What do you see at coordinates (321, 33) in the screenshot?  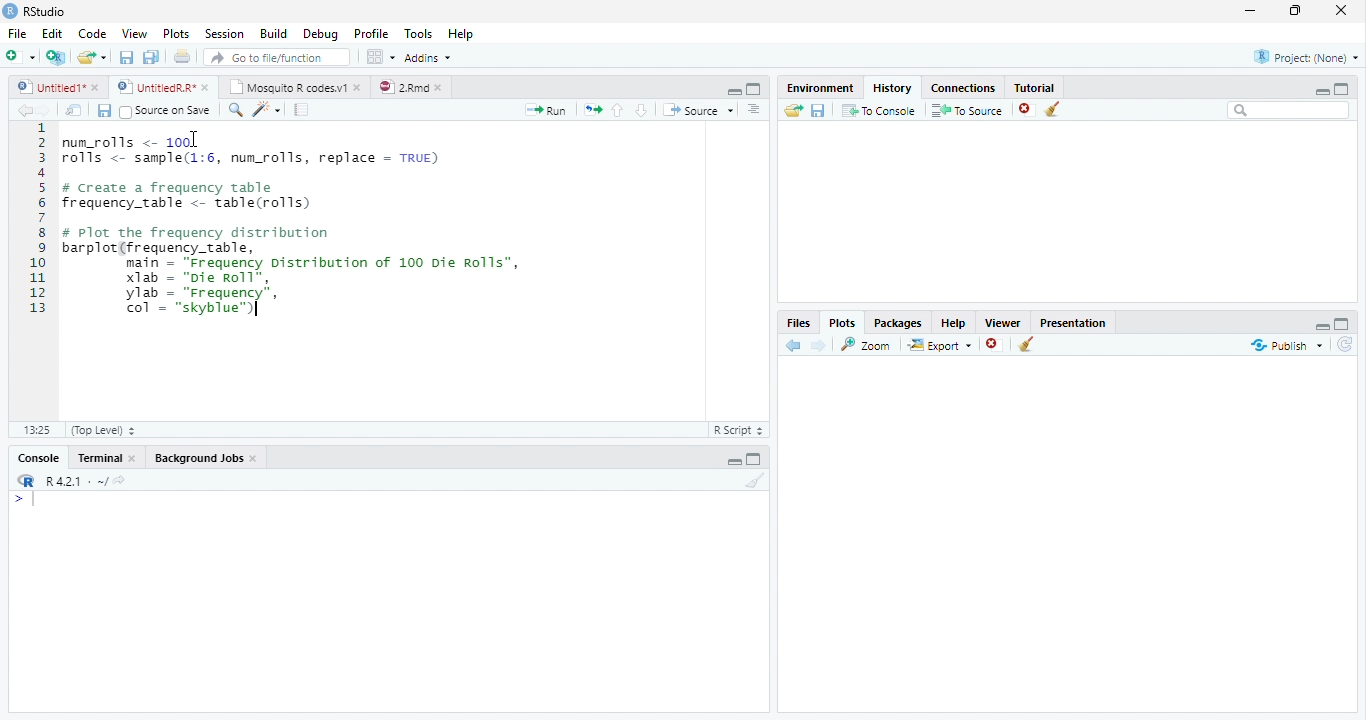 I see `Debug` at bounding box center [321, 33].